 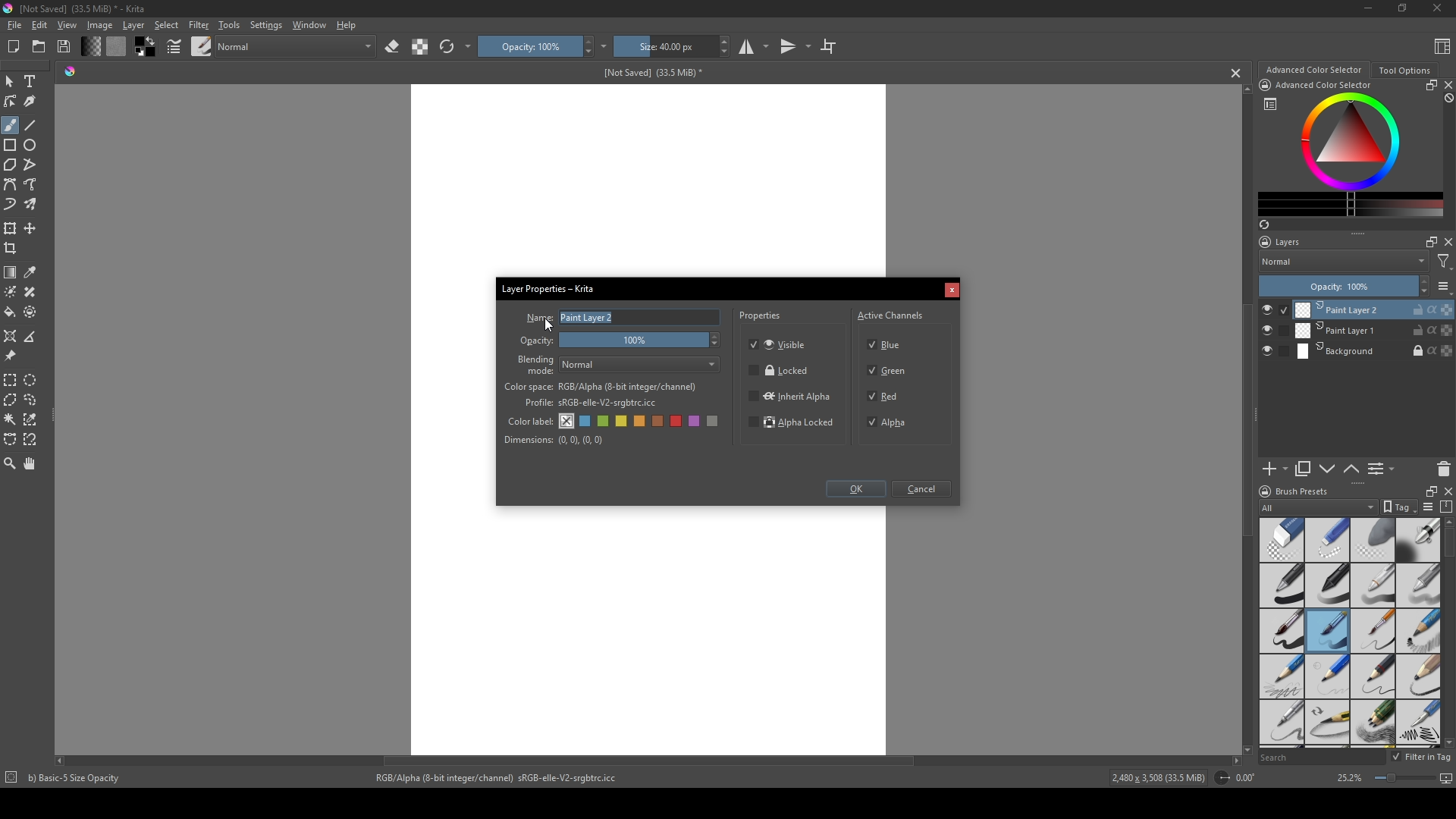 I want to click on bucket fill, so click(x=11, y=312).